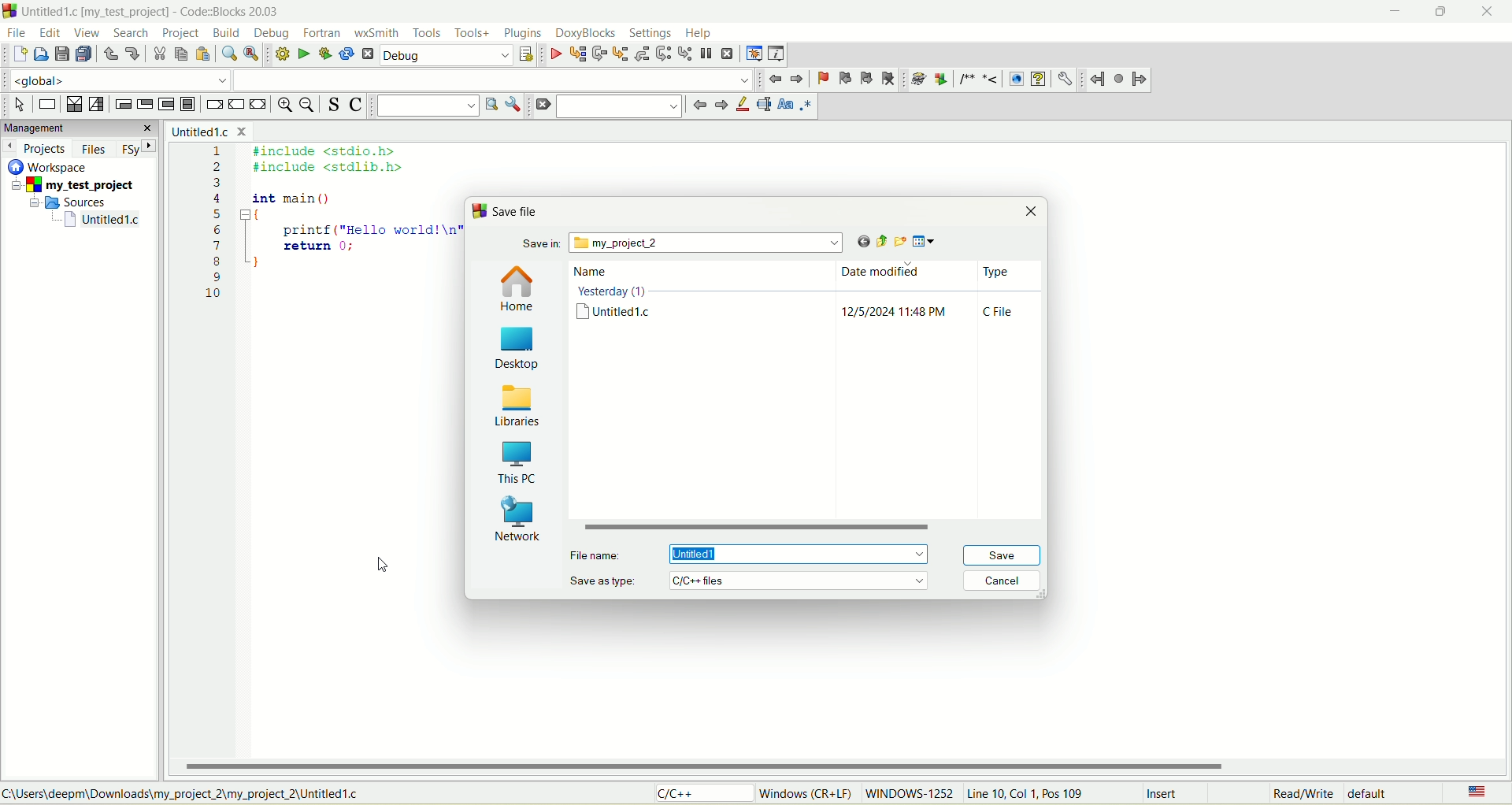 The height and width of the screenshot is (805, 1512). I want to click on global, so click(113, 80).